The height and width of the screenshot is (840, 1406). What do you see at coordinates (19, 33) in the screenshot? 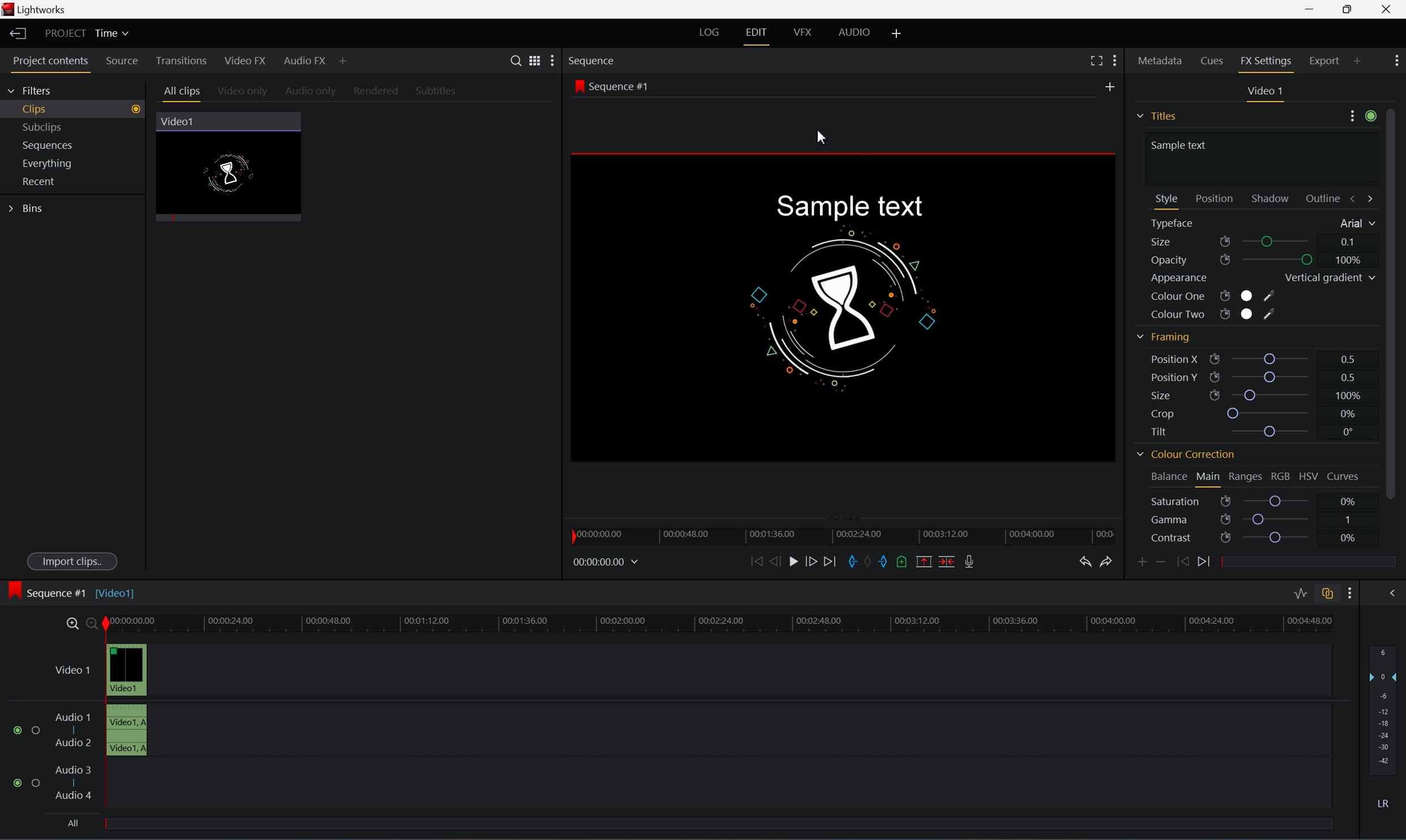
I see `exit the current project and return to the project browser` at bounding box center [19, 33].